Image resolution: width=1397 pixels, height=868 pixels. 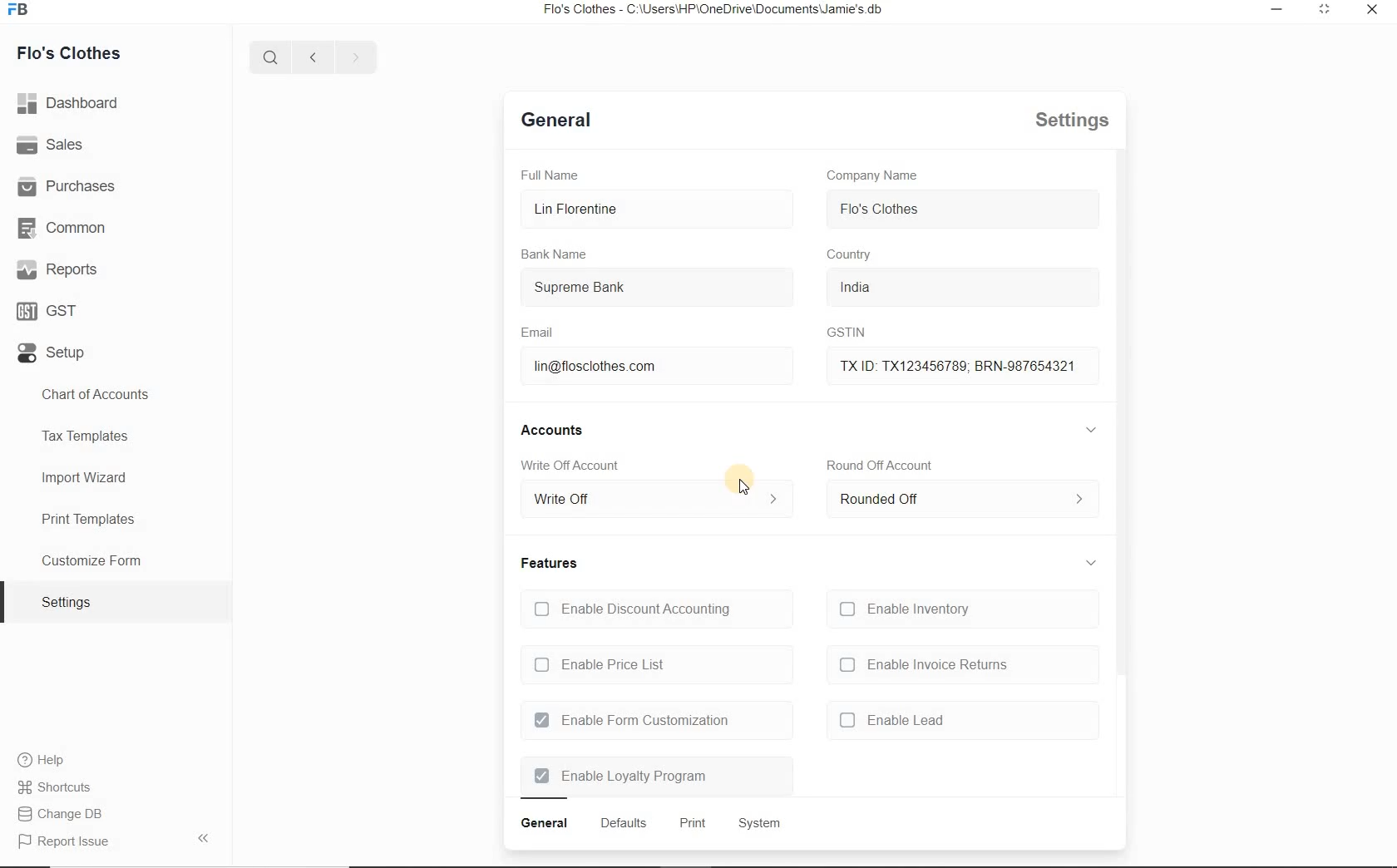 What do you see at coordinates (877, 287) in the screenshot?
I see `india` at bounding box center [877, 287].